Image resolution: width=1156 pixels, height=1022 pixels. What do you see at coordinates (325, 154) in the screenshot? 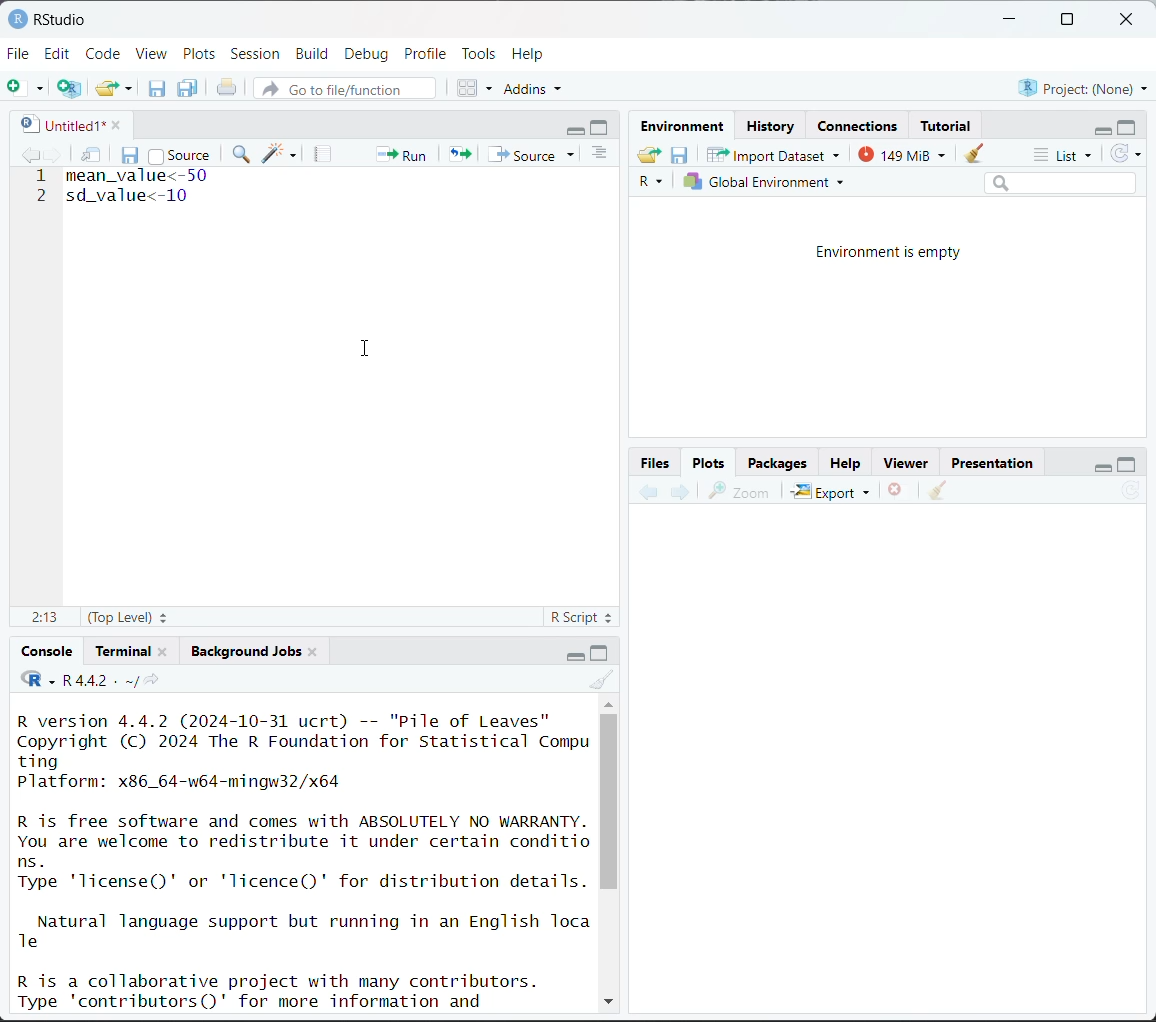
I see `compile report` at bounding box center [325, 154].